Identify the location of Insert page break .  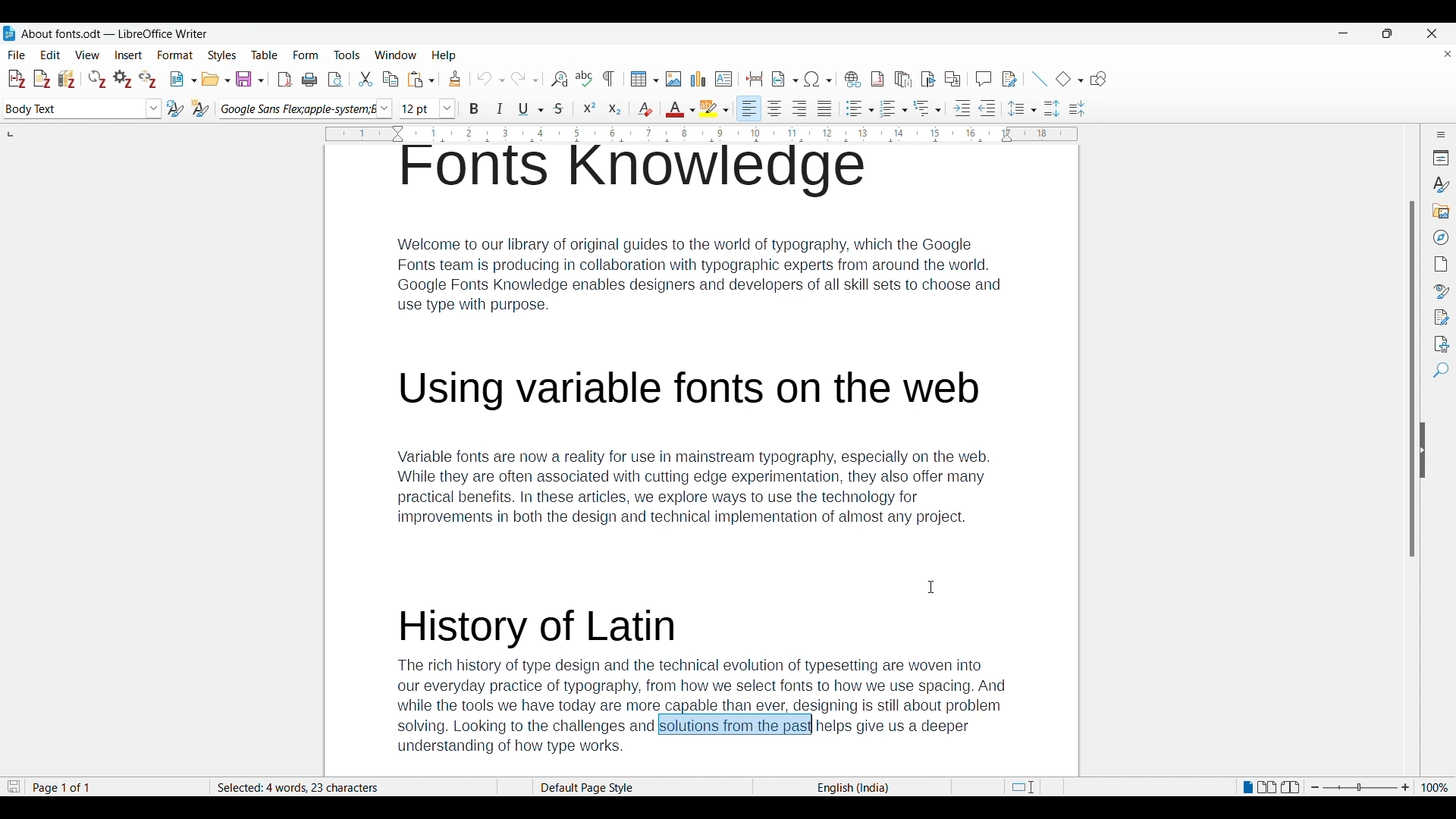
(755, 79).